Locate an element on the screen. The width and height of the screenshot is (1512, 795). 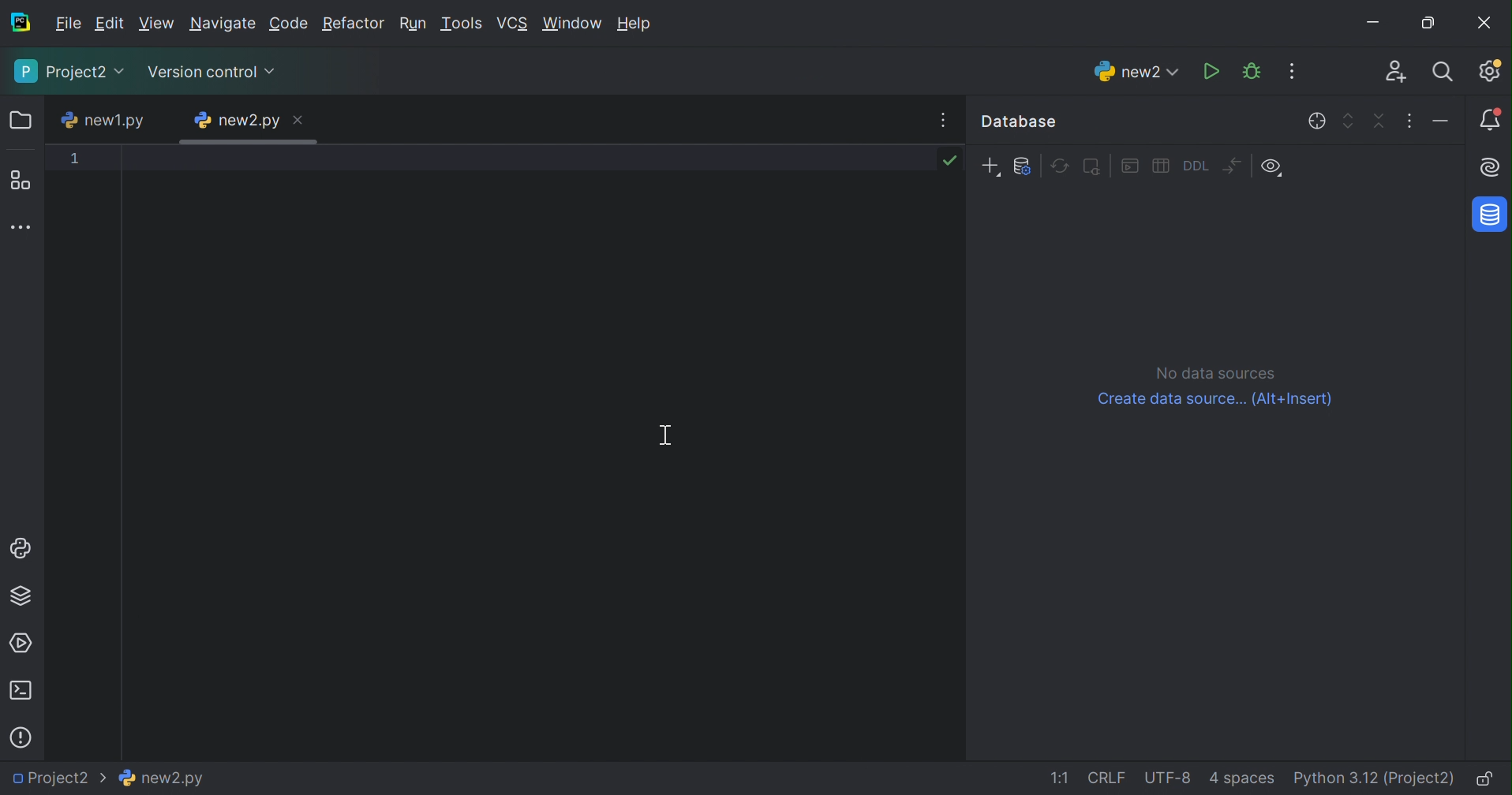
Options is located at coordinates (1410, 121).